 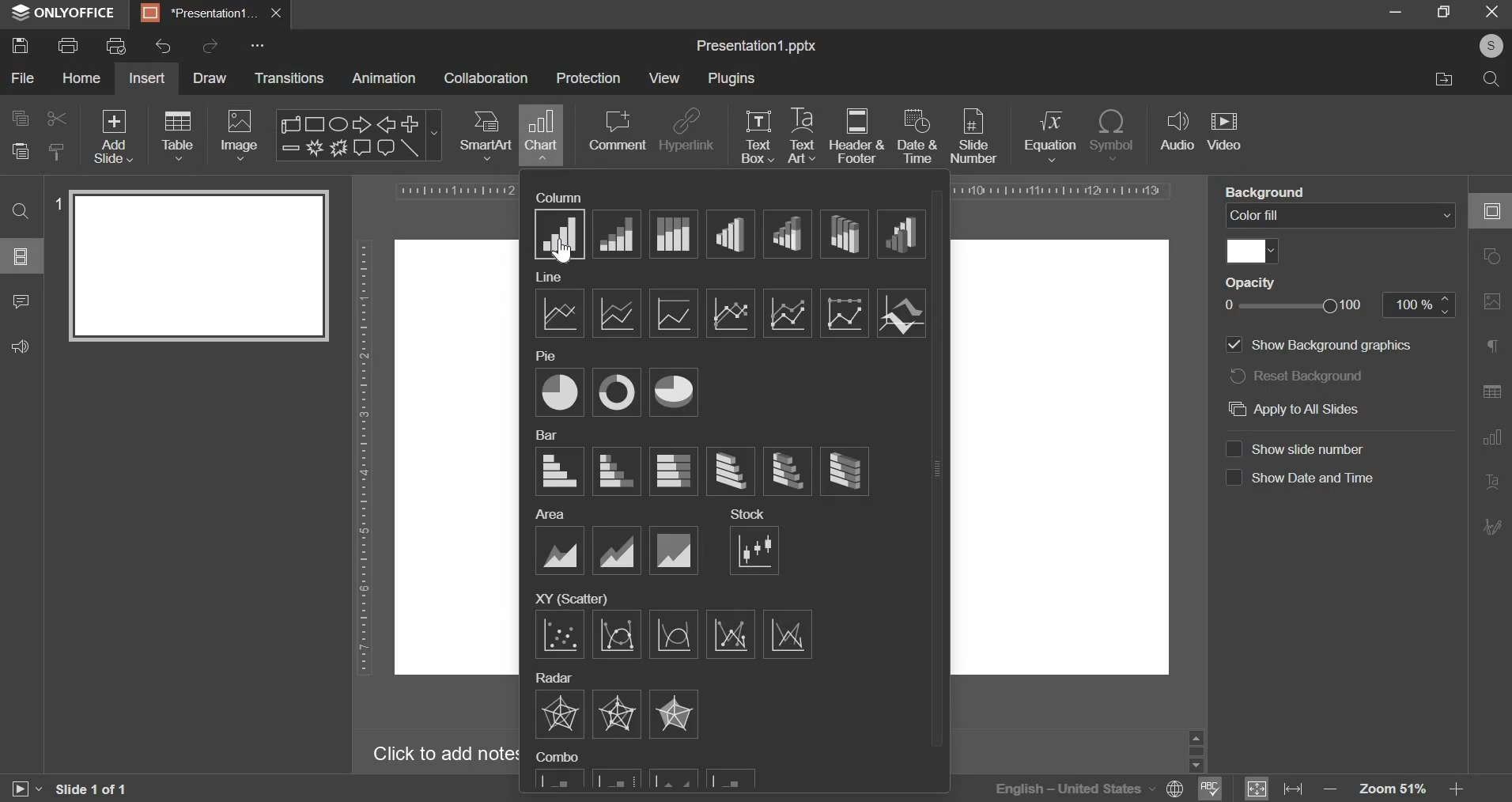 What do you see at coordinates (1250, 251) in the screenshot?
I see `color fill` at bounding box center [1250, 251].